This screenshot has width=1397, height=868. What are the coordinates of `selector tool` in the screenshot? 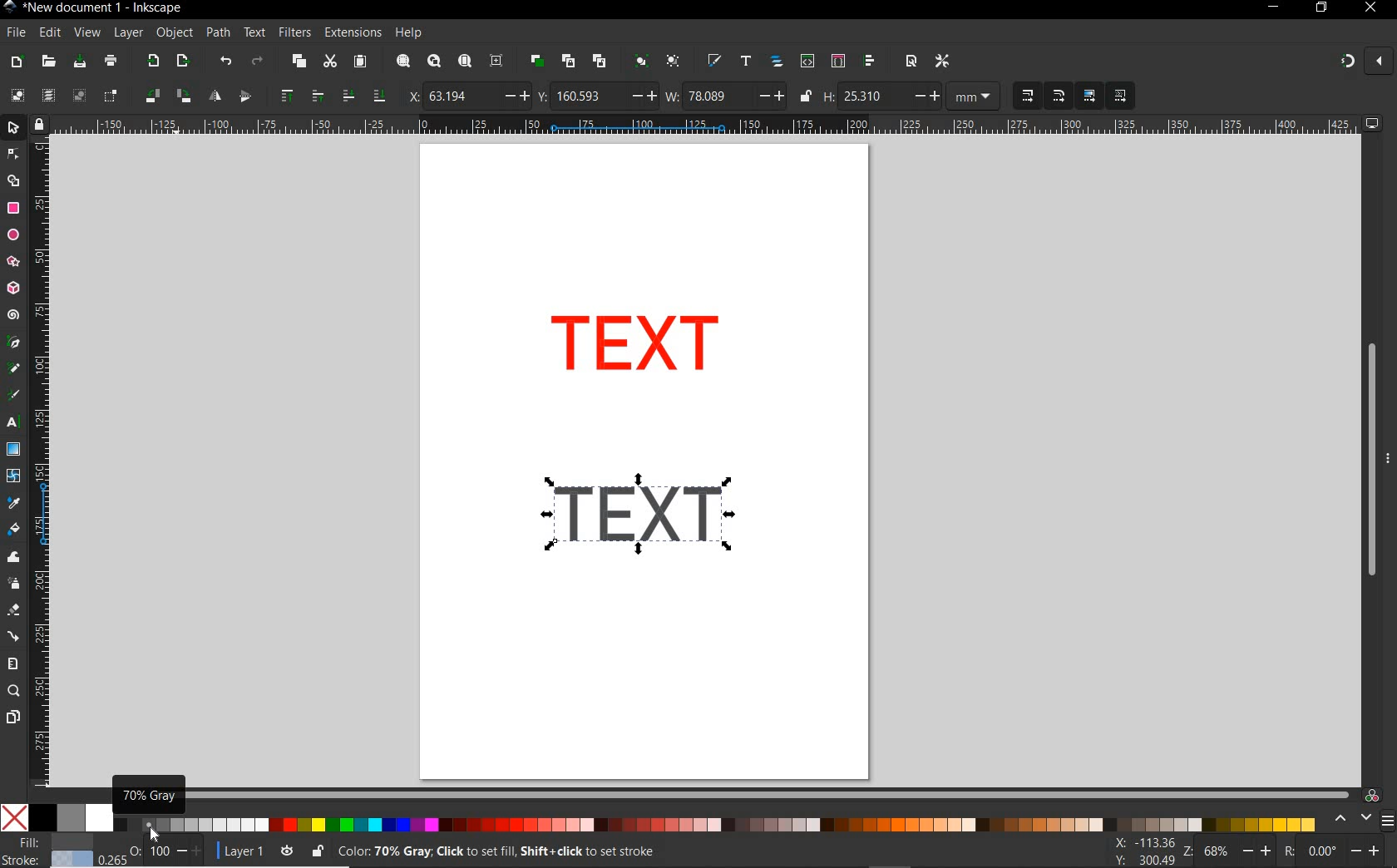 It's located at (15, 130).